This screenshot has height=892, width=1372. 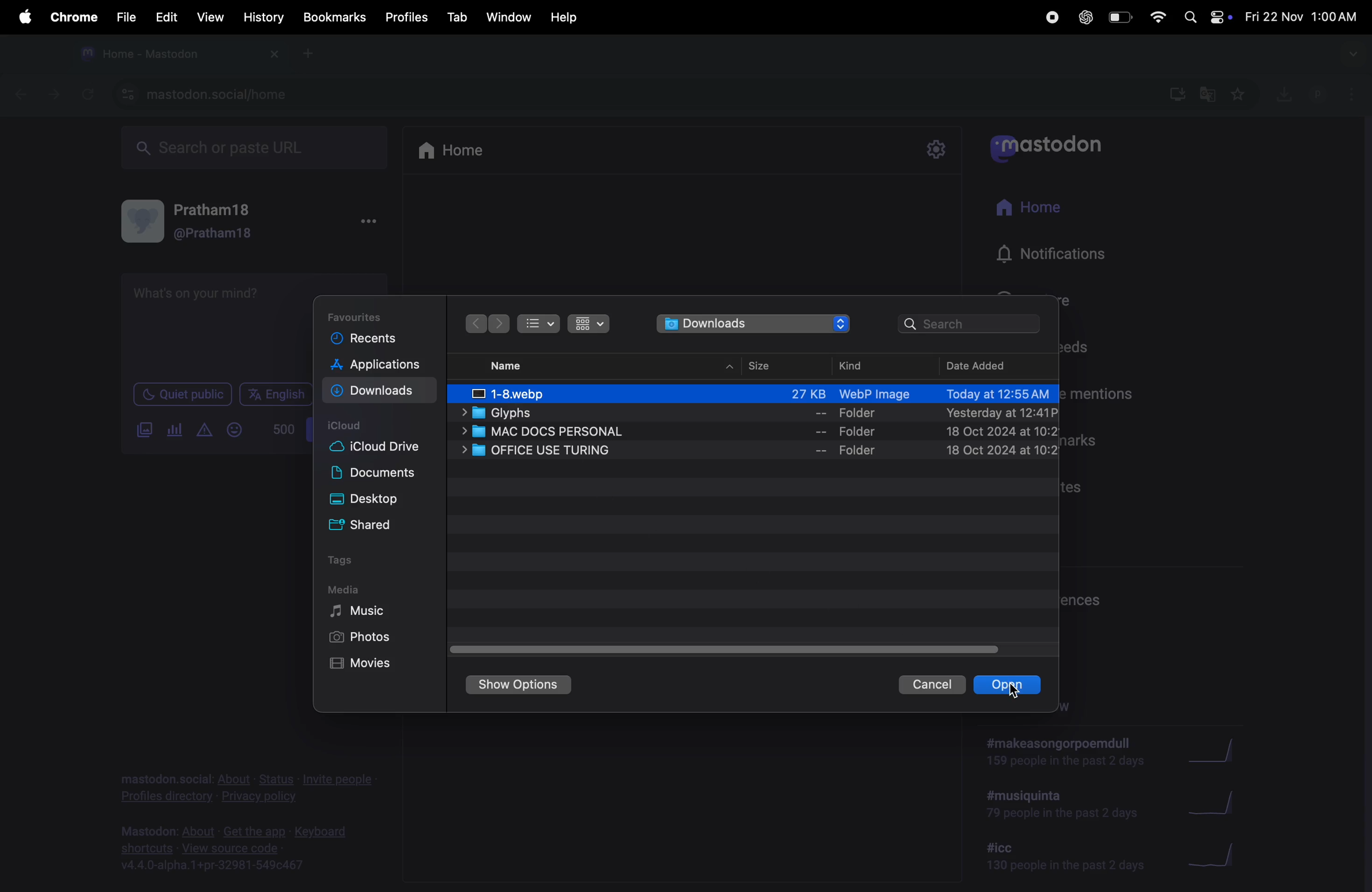 What do you see at coordinates (764, 366) in the screenshot?
I see `size` at bounding box center [764, 366].